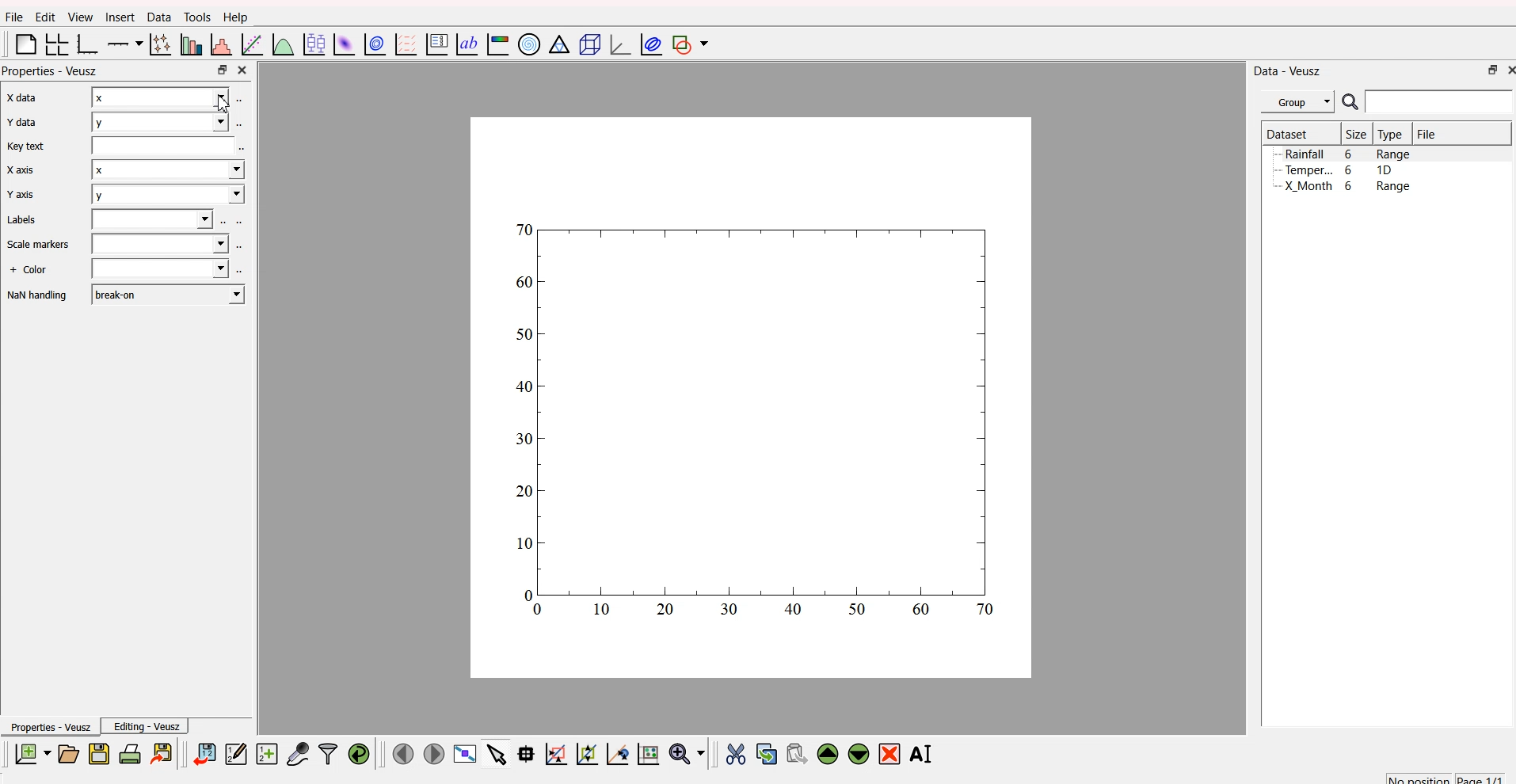 The height and width of the screenshot is (784, 1516). What do you see at coordinates (648, 44) in the screenshot?
I see `plot covariance ellipses` at bounding box center [648, 44].